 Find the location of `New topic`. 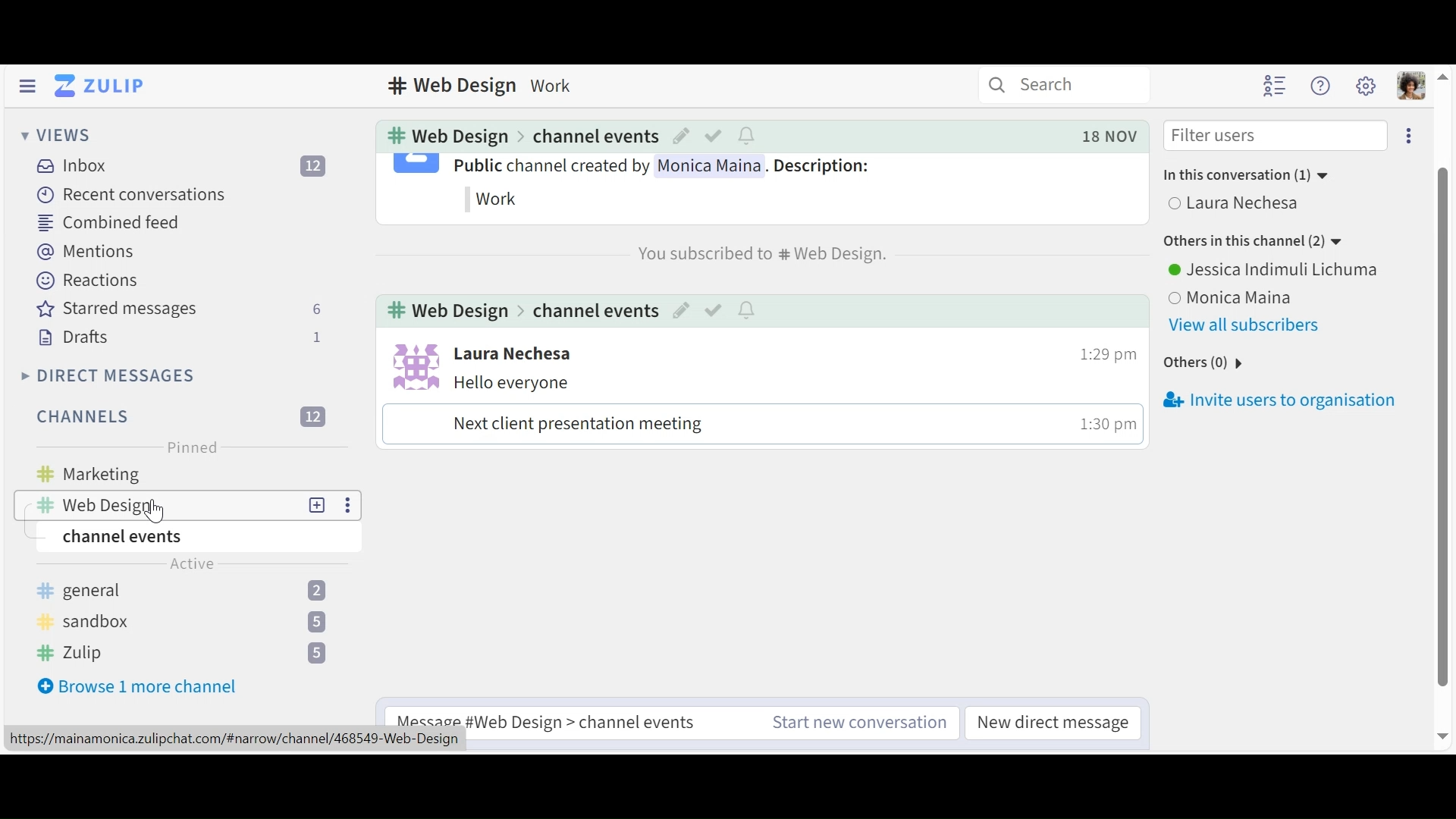

New topic is located at coordinates (318, 507).